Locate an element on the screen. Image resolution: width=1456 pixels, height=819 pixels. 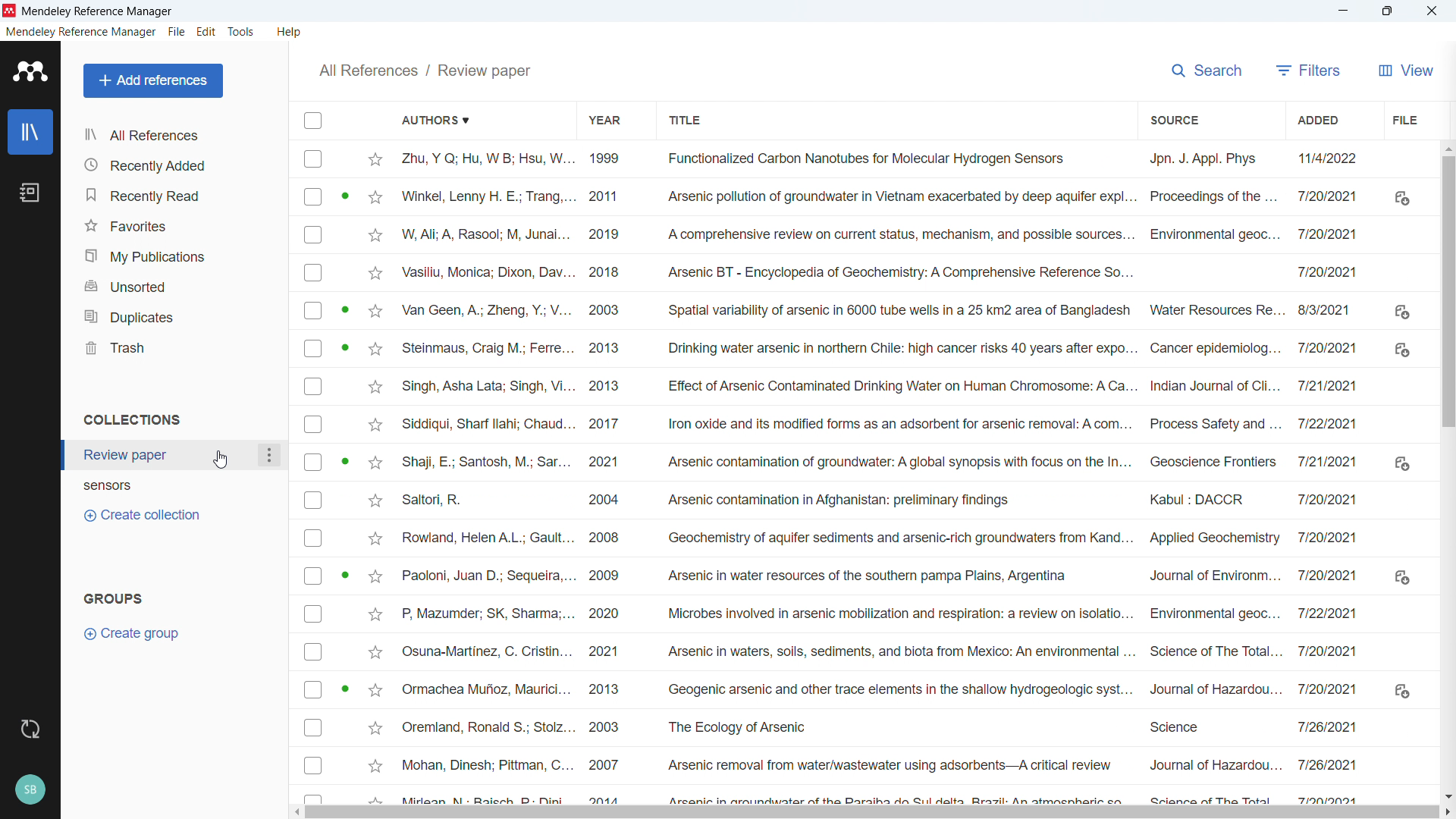
tools  is located at coordinates (243, 32).